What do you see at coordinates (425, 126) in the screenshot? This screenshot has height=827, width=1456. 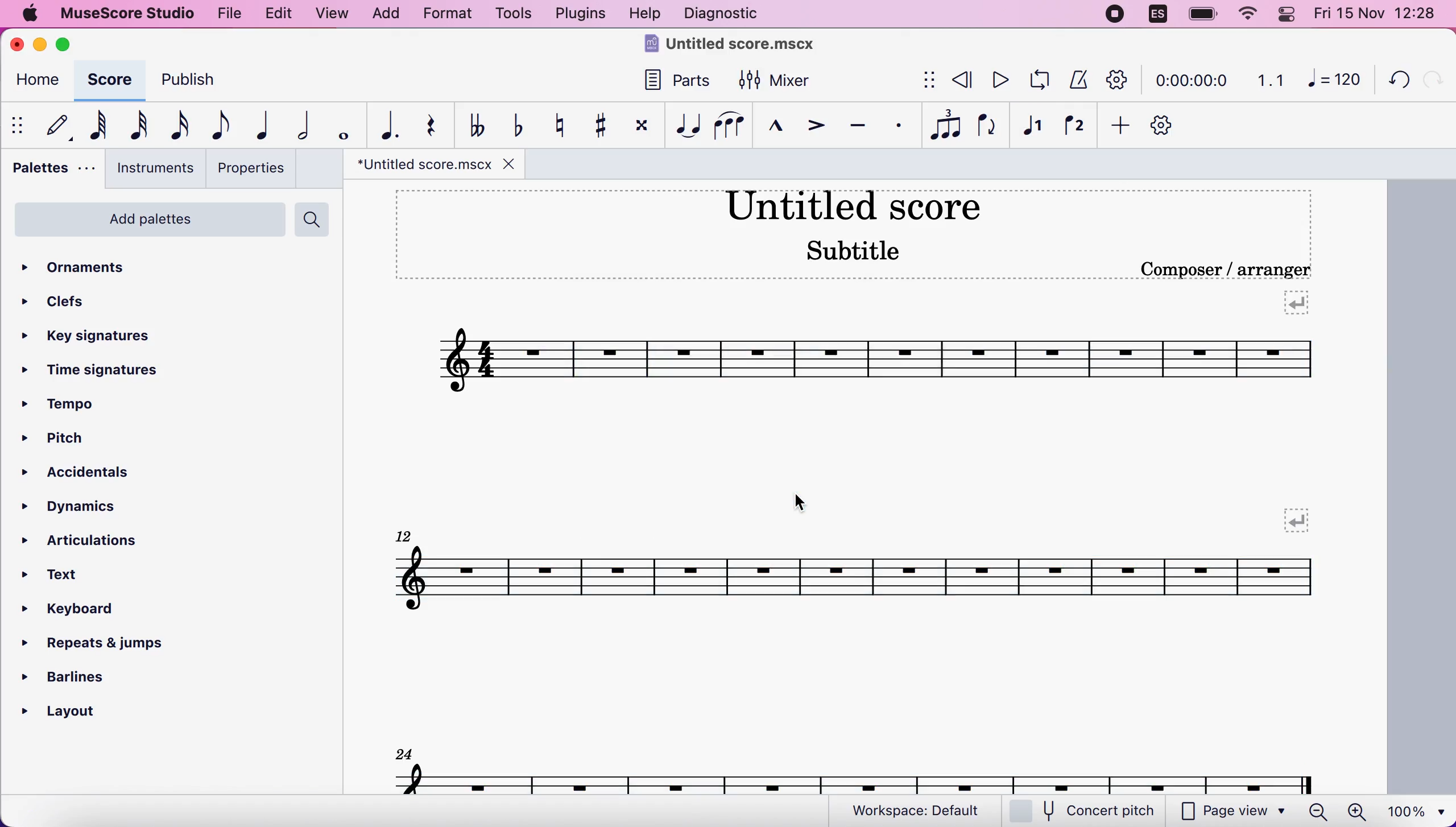 I see `rest` at bounding box center [425, 126].